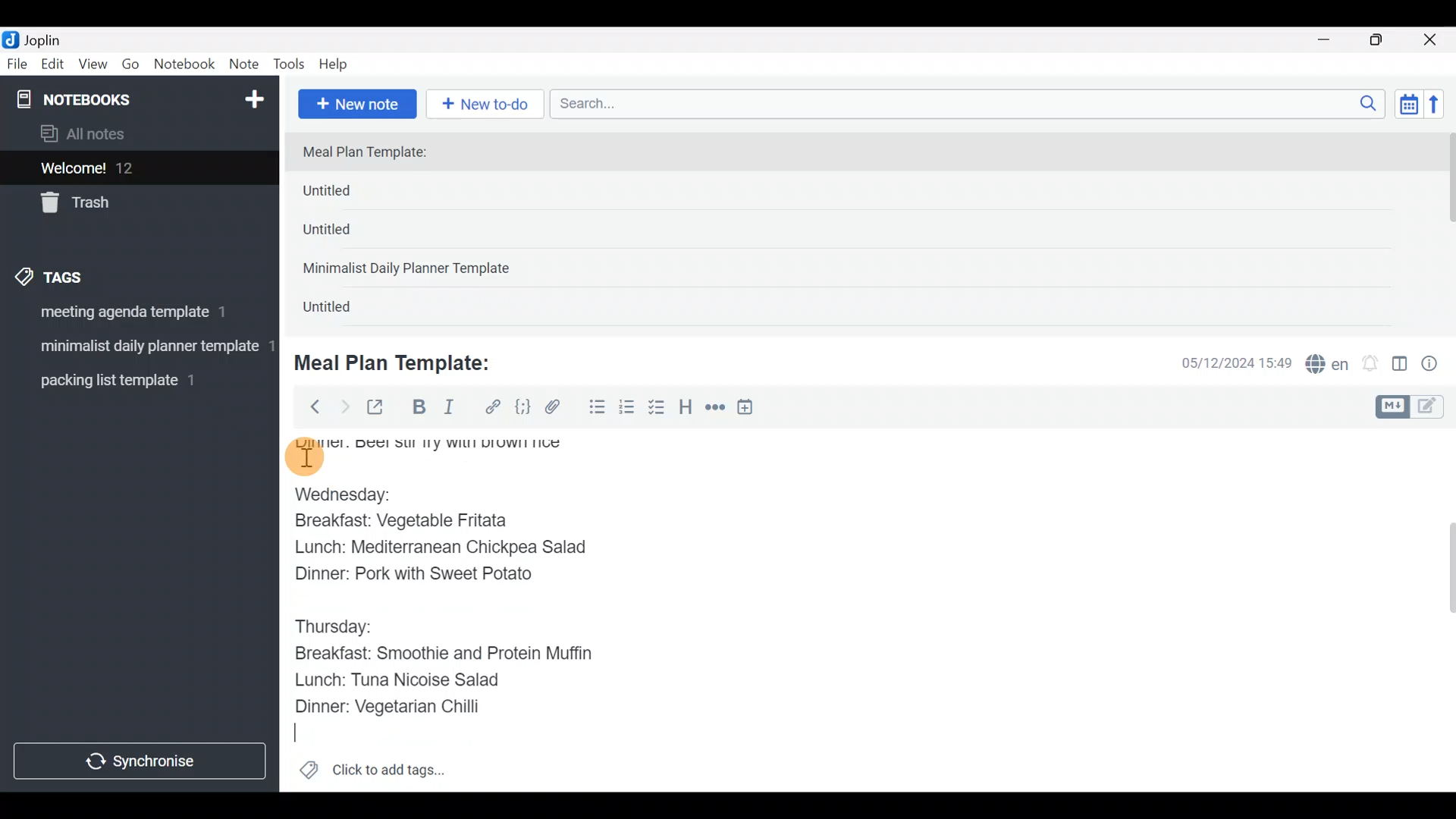 The width and height of the screenshot is (1456, 819). What do you see at coordinates (130, 204) in the screenshot?
I see `Trash` at bounding box center [130, 204].